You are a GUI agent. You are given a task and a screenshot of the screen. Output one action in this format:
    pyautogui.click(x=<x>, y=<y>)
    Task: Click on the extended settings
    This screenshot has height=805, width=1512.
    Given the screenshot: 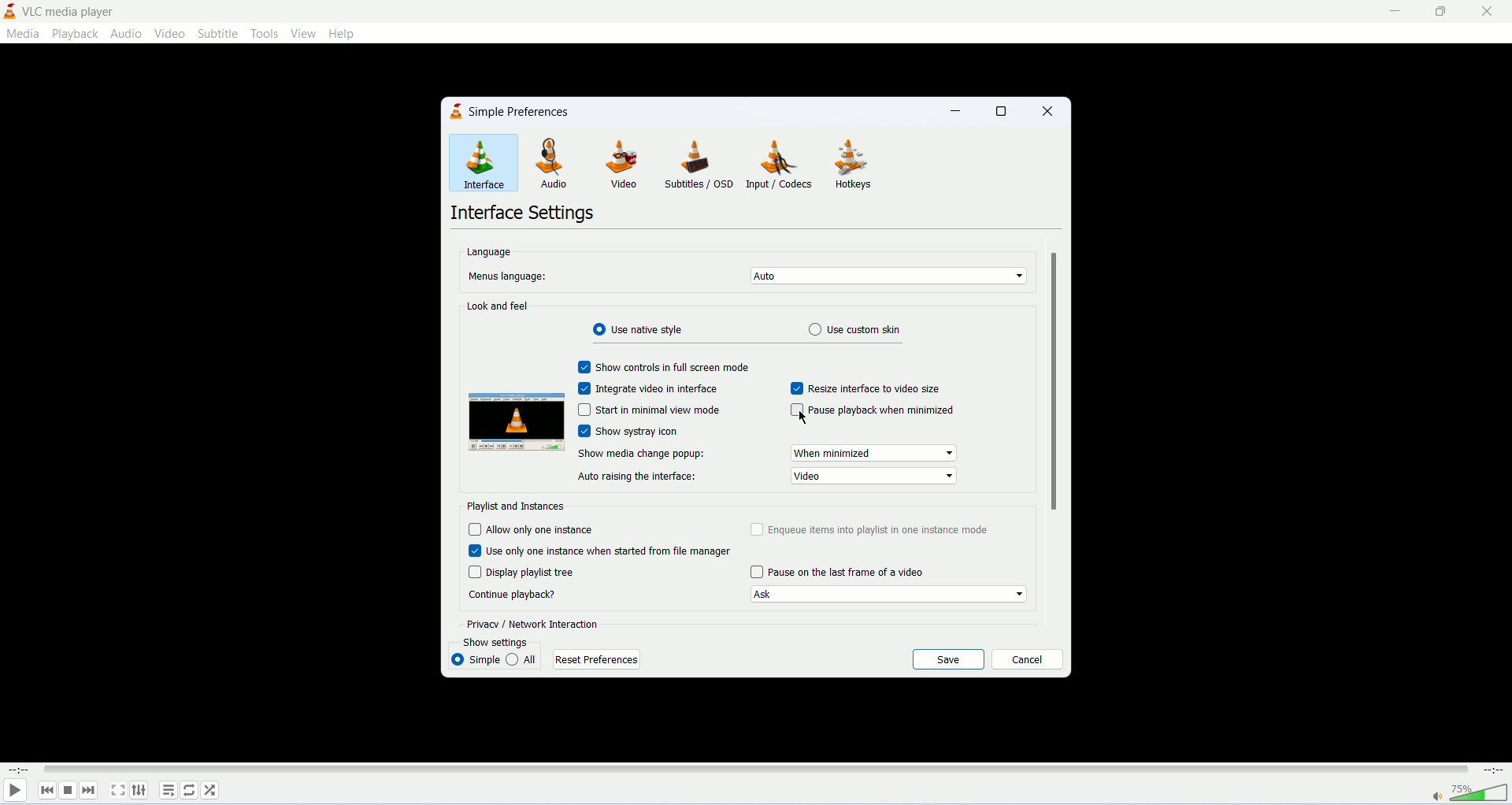 What is the action you would take?
    pyautogui.click(x=143, y=791)
    